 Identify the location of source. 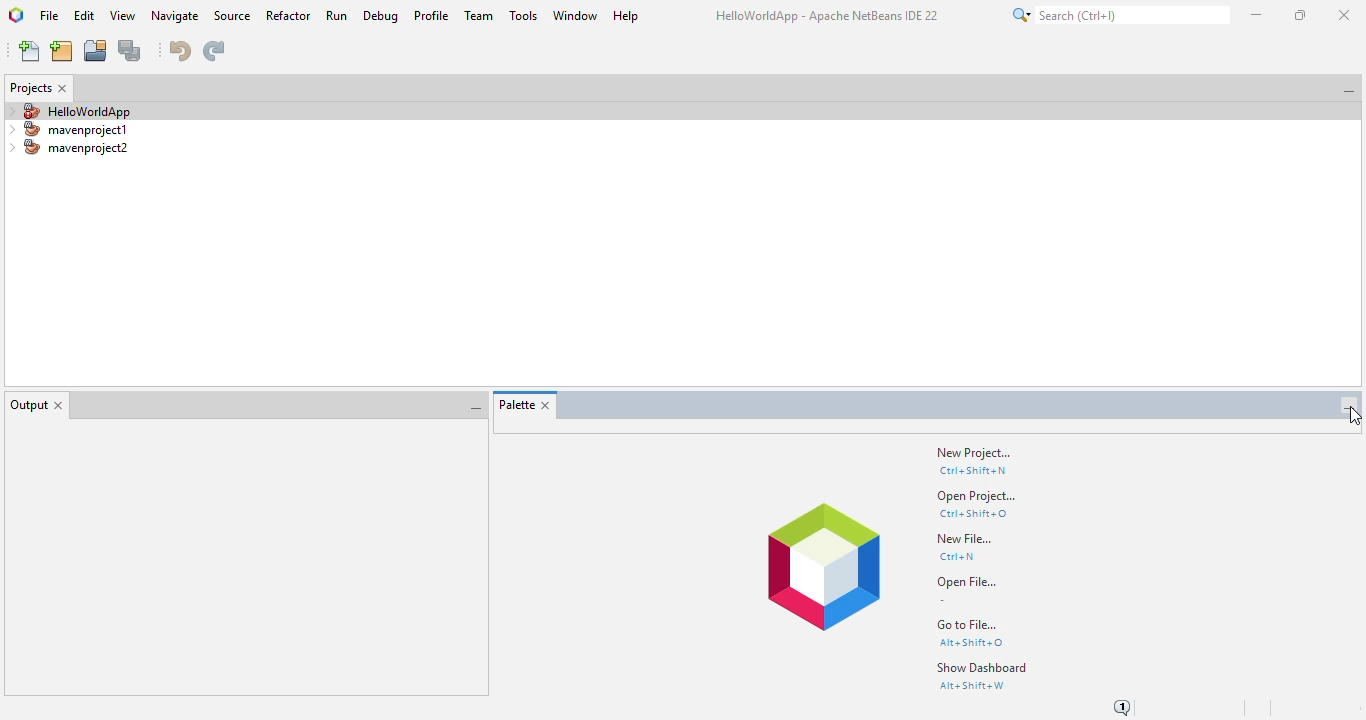
(233, 16).